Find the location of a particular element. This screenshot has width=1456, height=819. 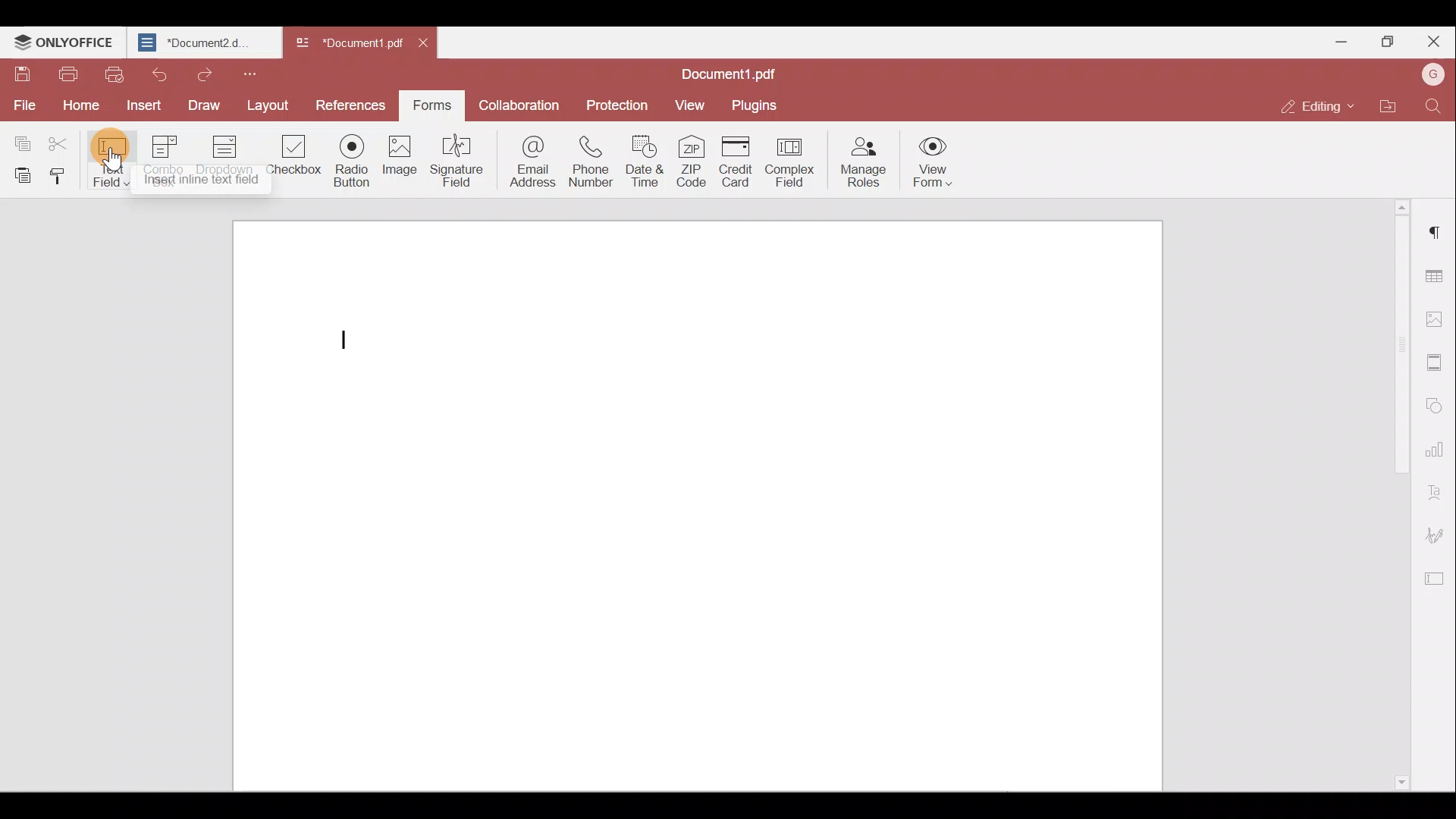

Phone number is located at coordinates (591, 163).